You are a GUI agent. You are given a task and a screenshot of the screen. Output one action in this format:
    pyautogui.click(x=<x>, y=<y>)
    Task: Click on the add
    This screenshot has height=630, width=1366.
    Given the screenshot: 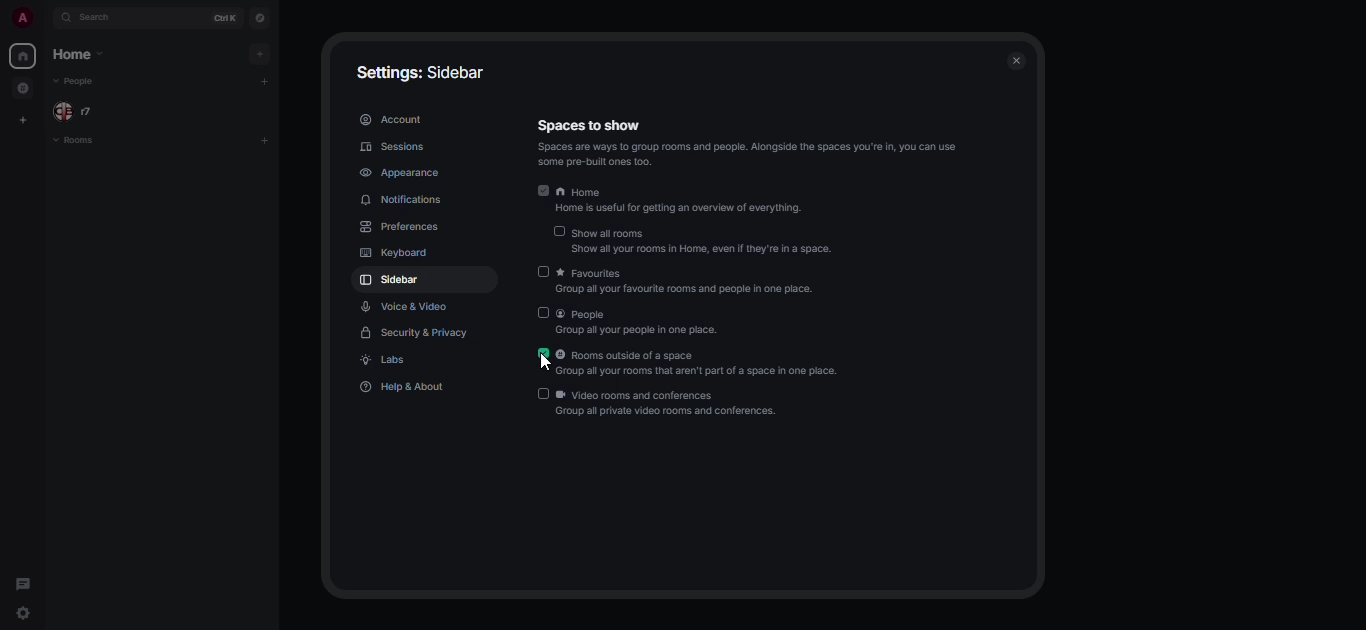 What is the action you would take?
    pyautogui.click(x=265, y=81)
    